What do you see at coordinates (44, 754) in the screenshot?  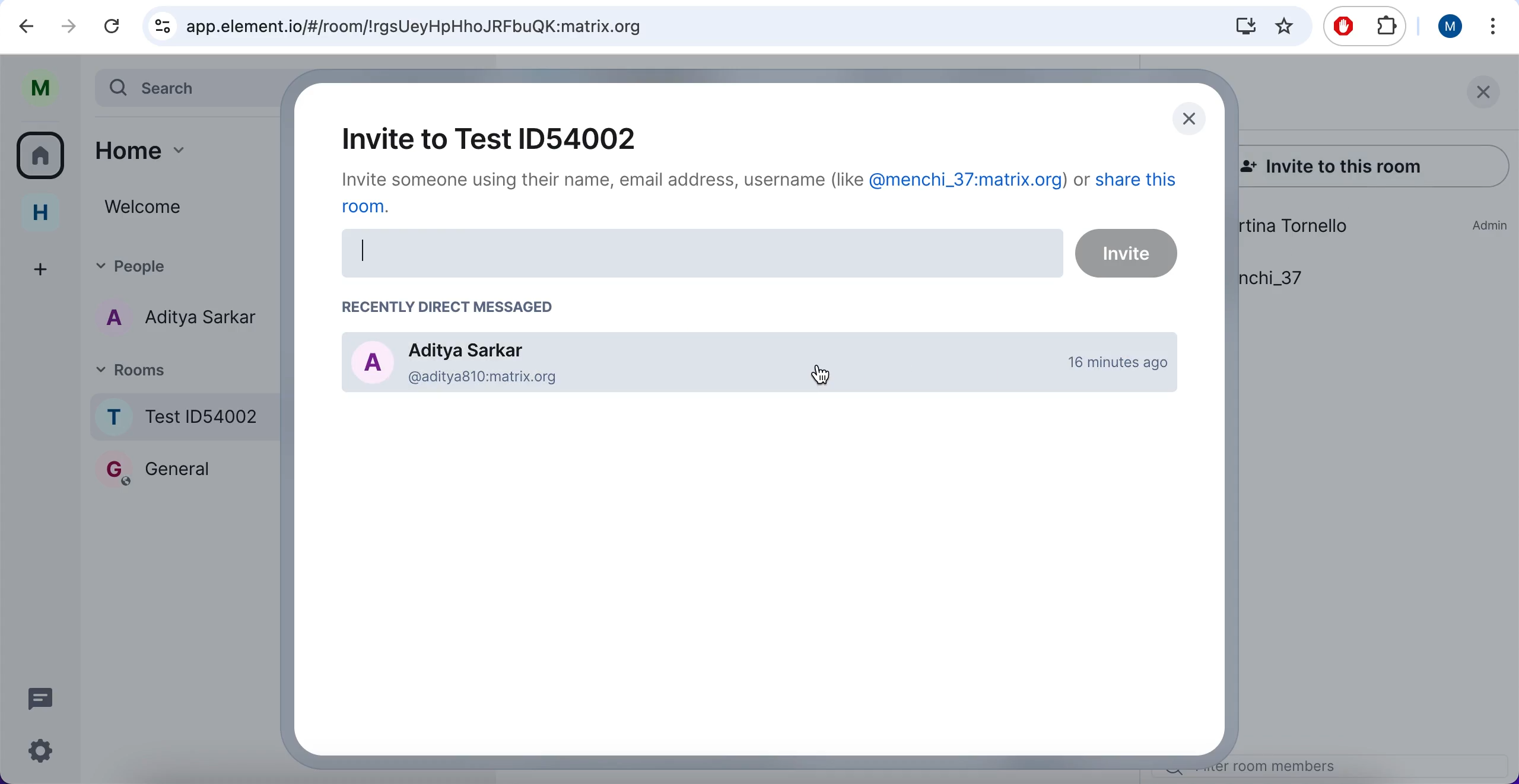 I see `configuration` at bounding box center [44, 754].